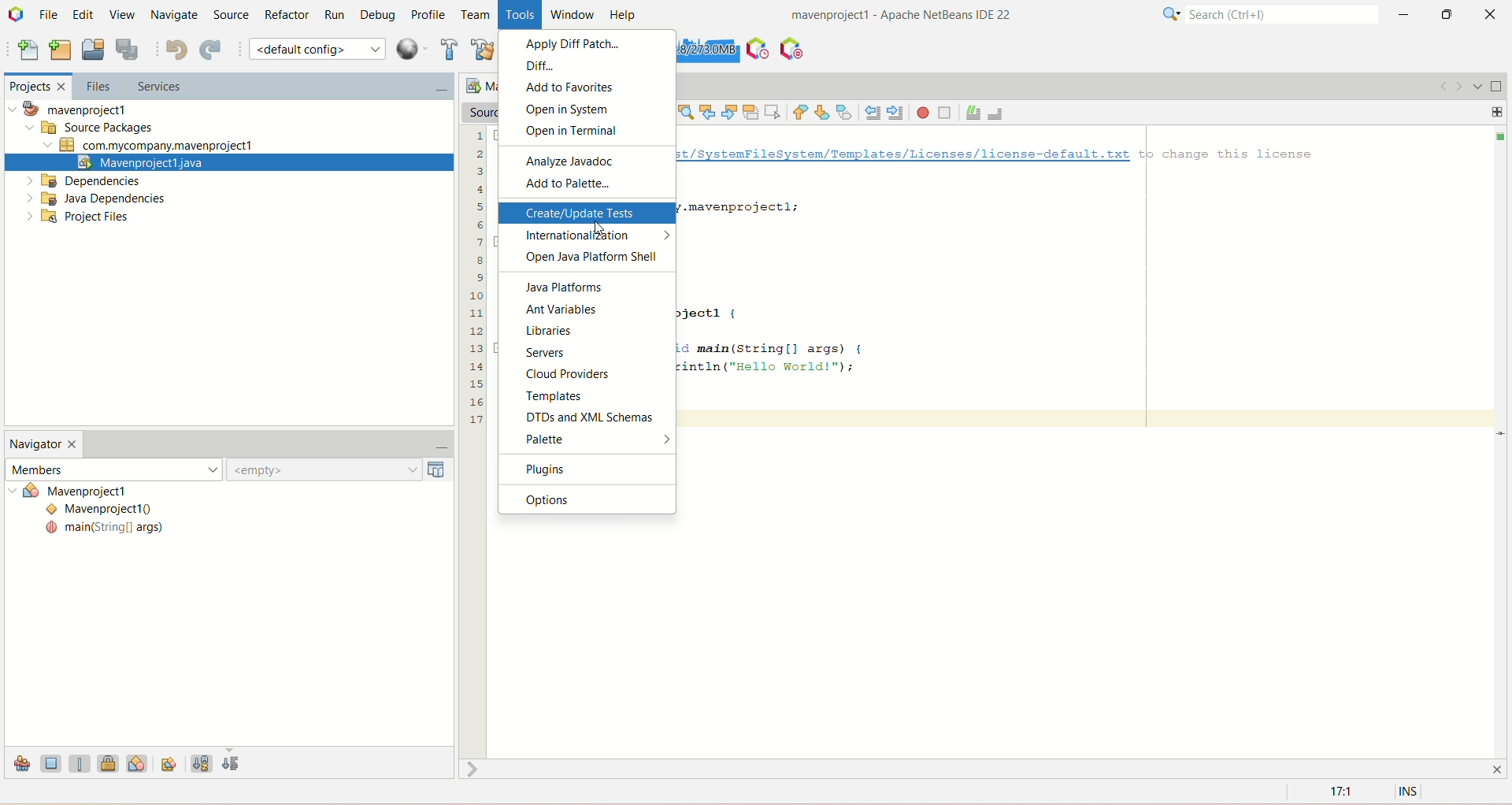 This screenshot has height=805, width=1512. I want to click on previous bookmark, so click(801, 113).